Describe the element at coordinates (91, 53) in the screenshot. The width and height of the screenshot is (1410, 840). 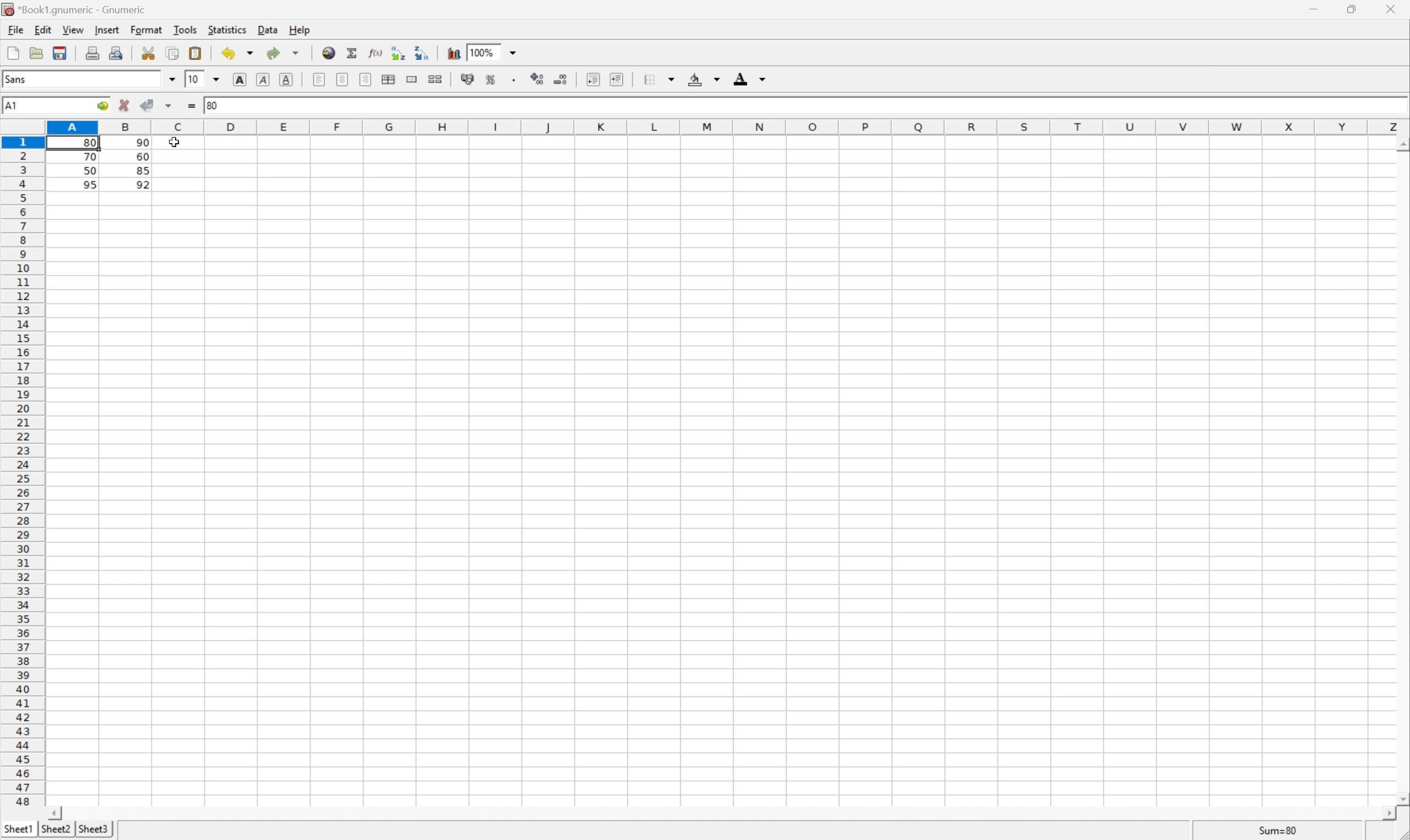
I see `Print the current file` at that location.